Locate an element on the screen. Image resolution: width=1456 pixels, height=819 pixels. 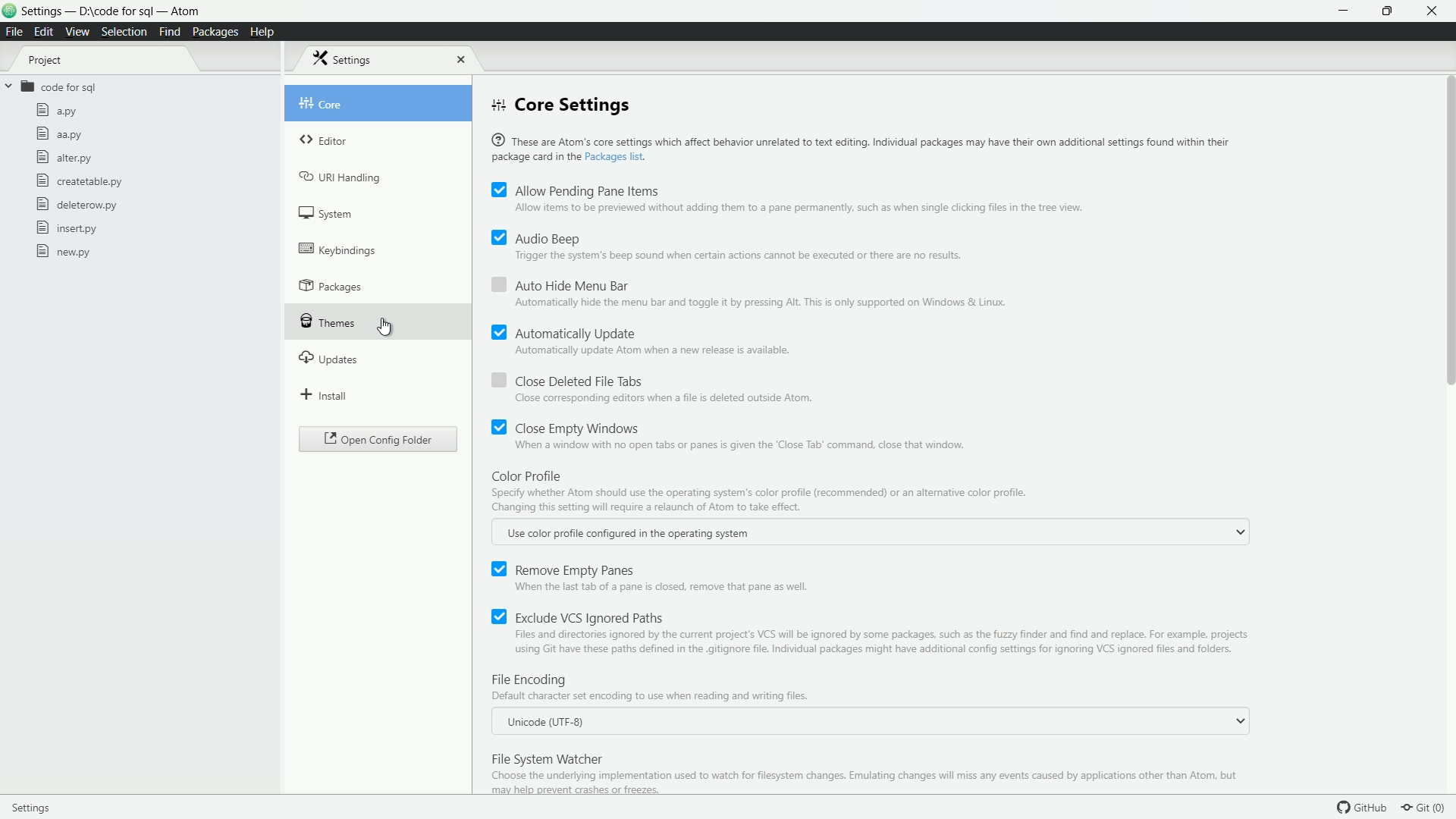
deleterow.py file is located at coordinates (77, 204).